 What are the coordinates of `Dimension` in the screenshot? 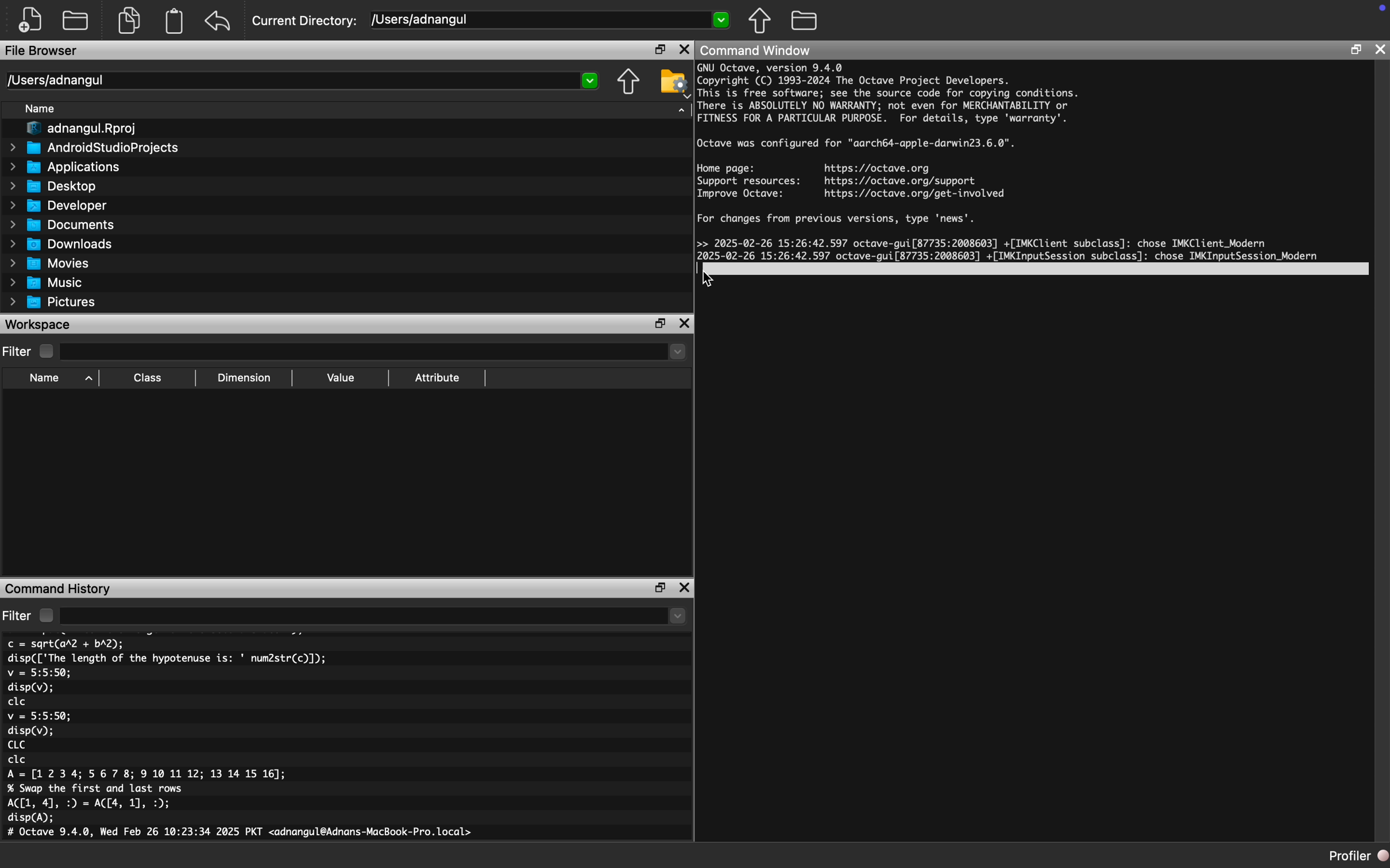 It's located at (244, 378).